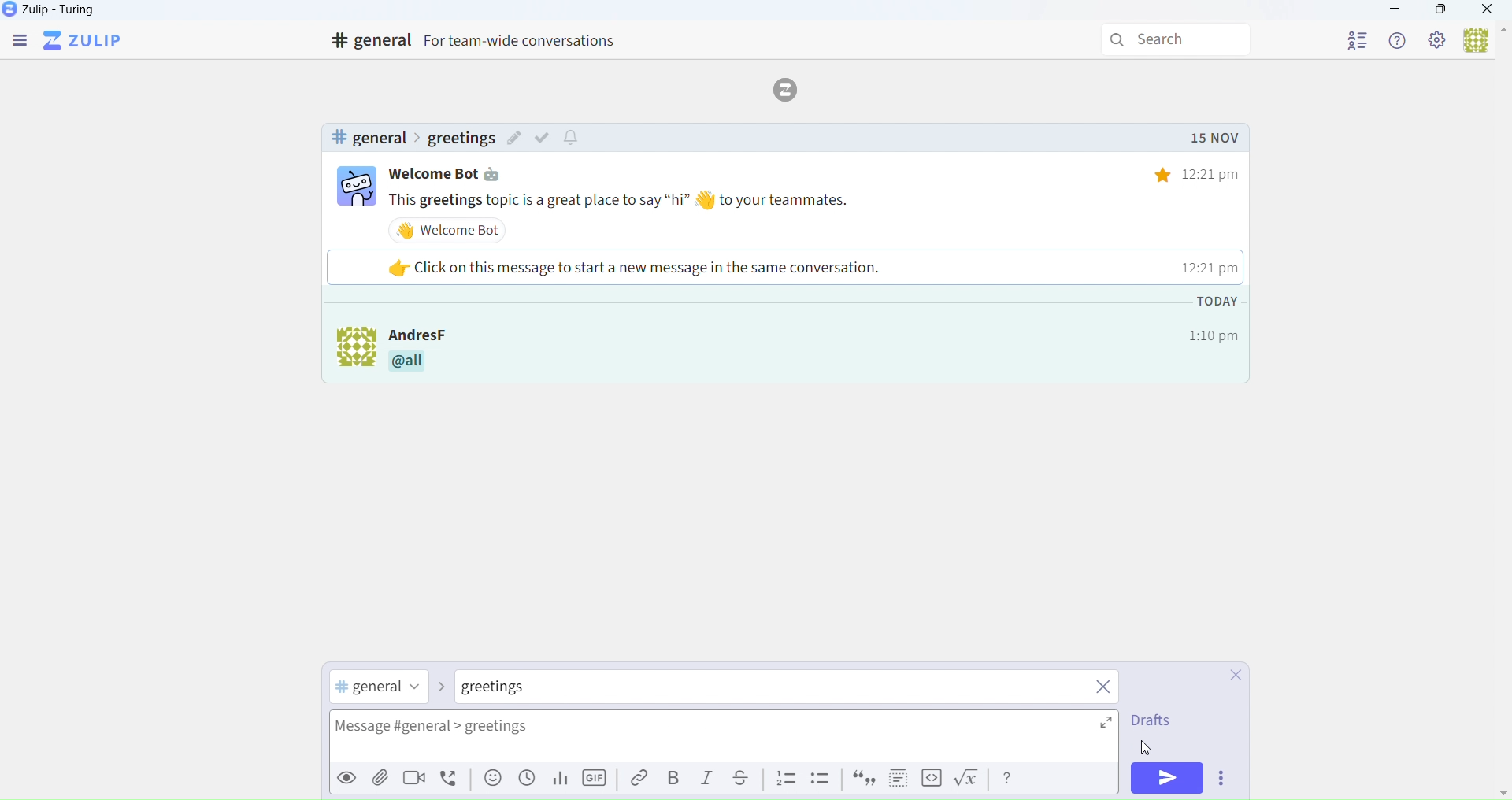  What do you see at coordinates (86, 41) in the screenshot?
I see `Zulip logo` at bounding box center [86, 41].